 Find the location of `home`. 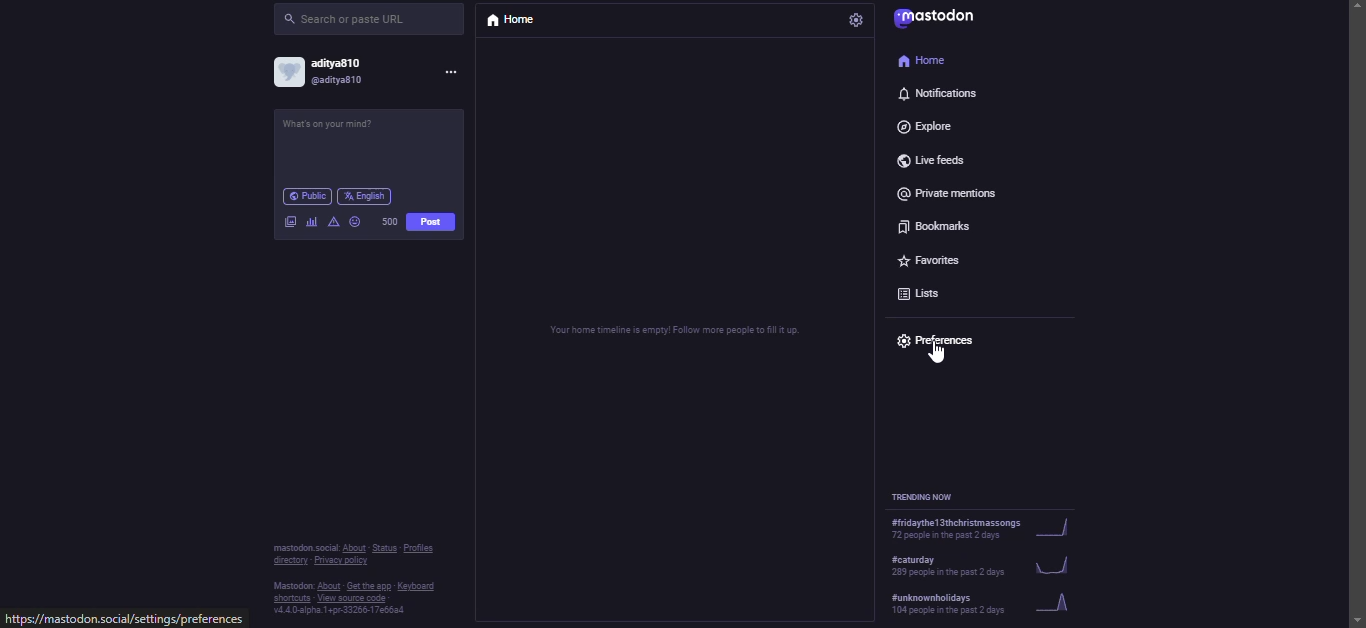

home is located at coordinates (926, 60).